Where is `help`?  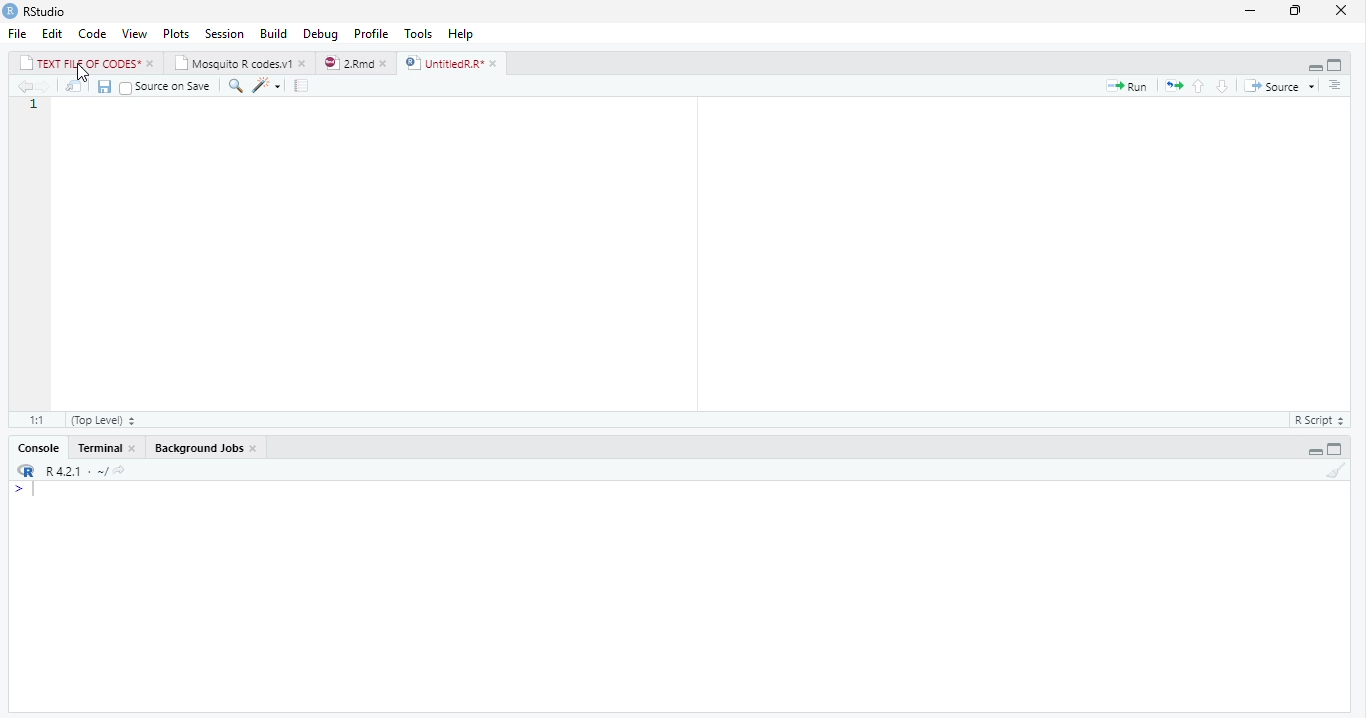 help is located at coordinates (461, 34).